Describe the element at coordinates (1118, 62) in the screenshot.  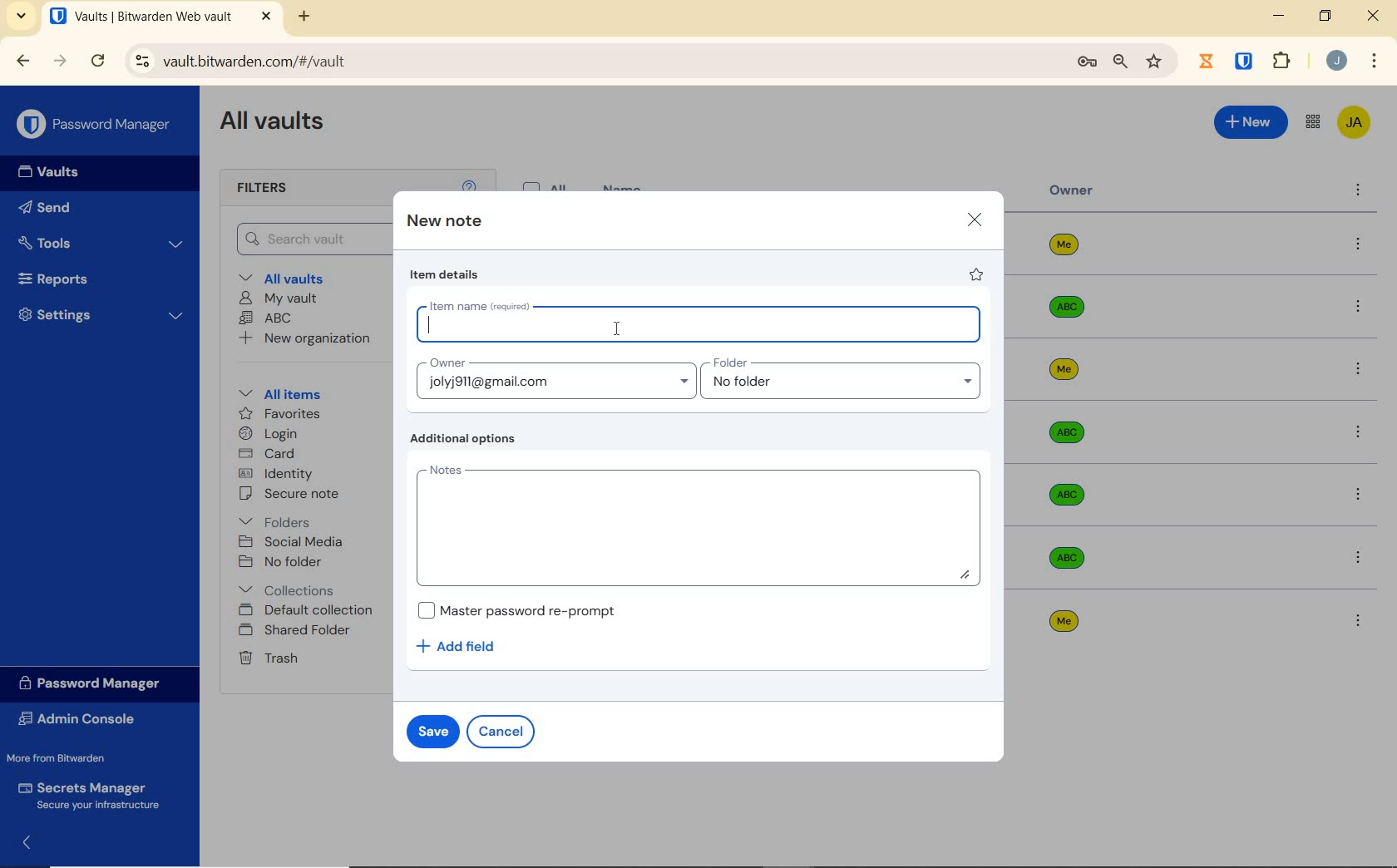
I see `zoom` at that location.